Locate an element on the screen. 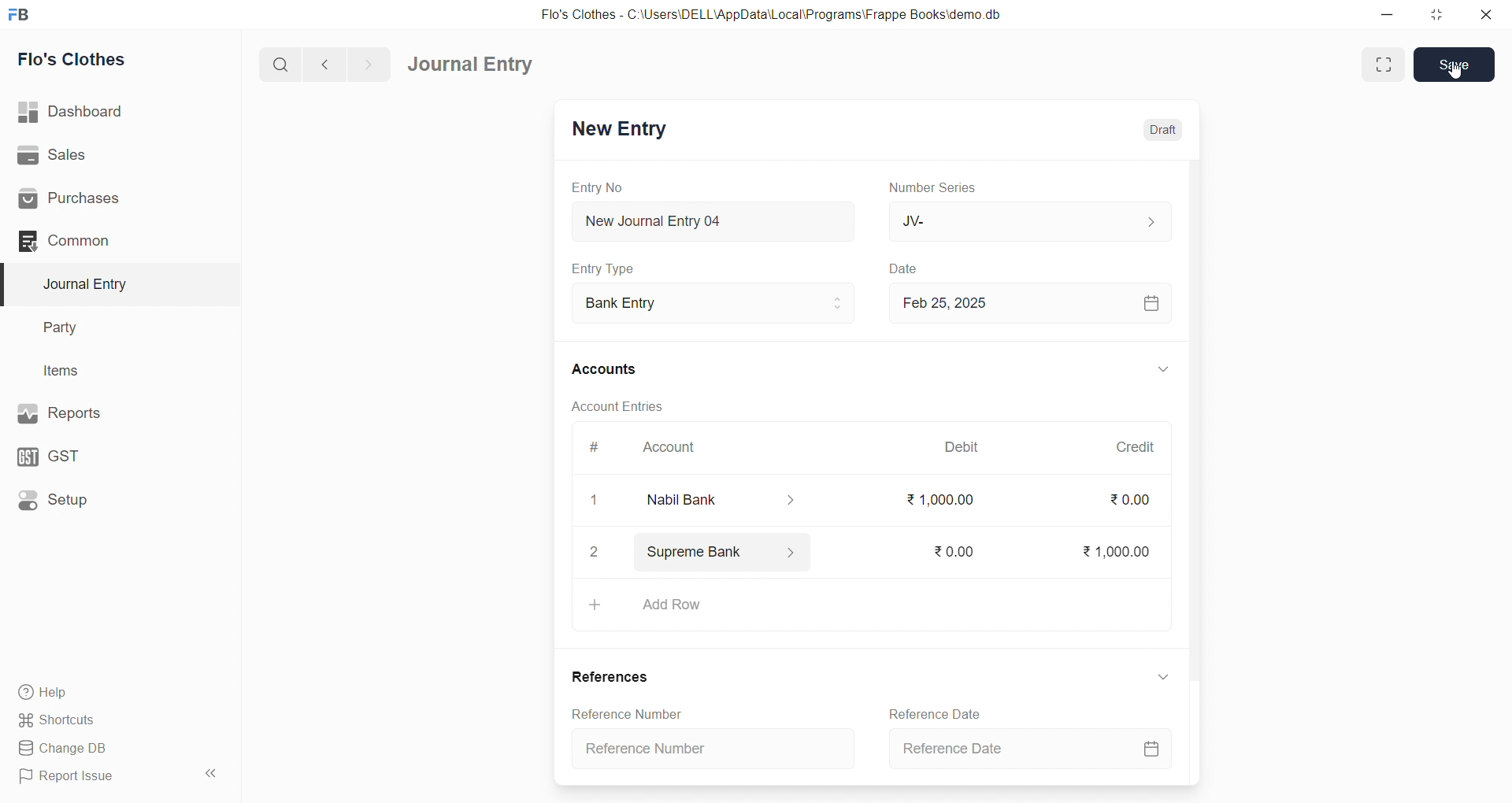 This screenshot has width=1512, height=803. minimize is located at coordinates (1388, 13).